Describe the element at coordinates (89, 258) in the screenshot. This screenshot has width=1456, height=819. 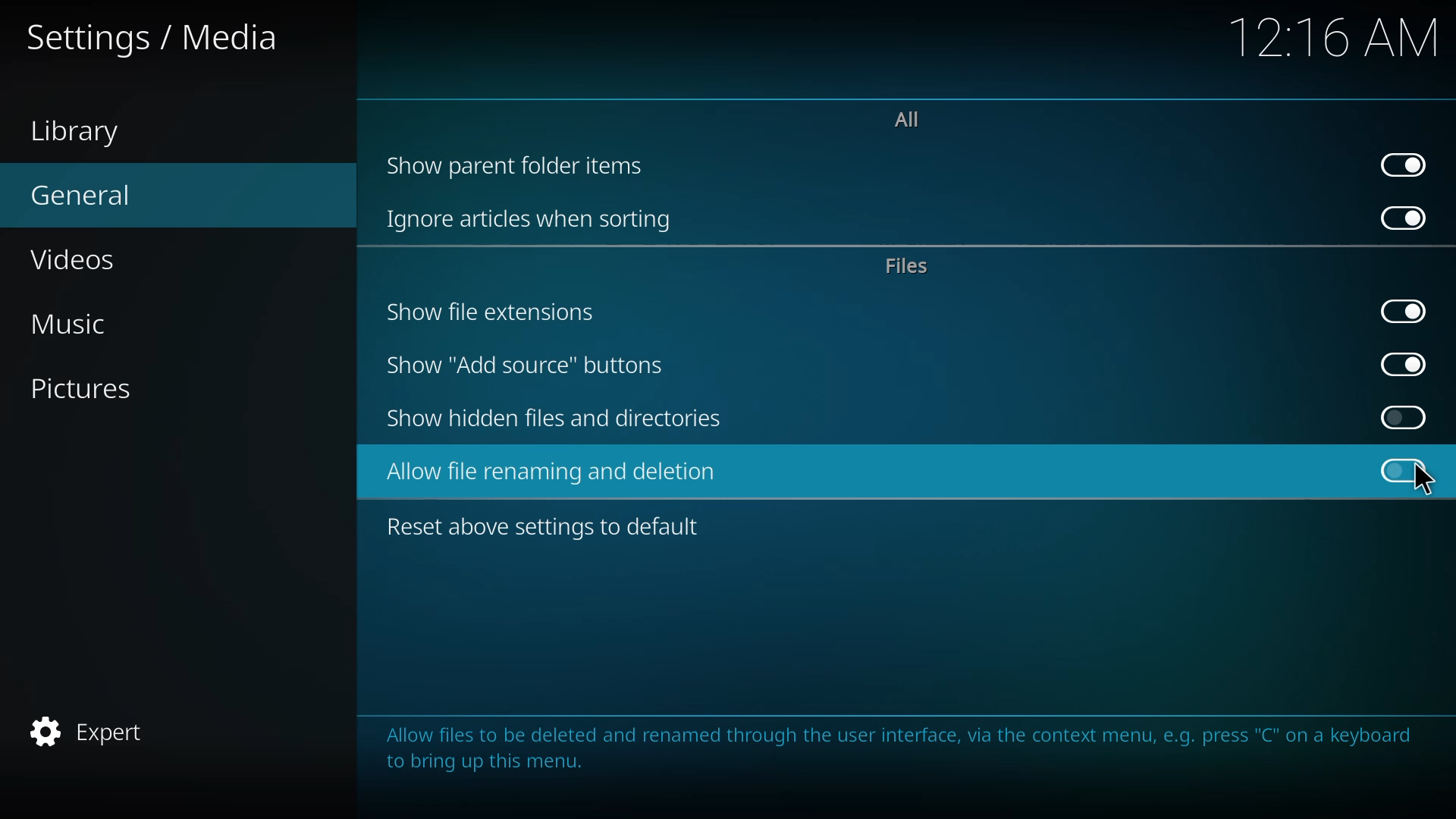
I see `videos` at that location.